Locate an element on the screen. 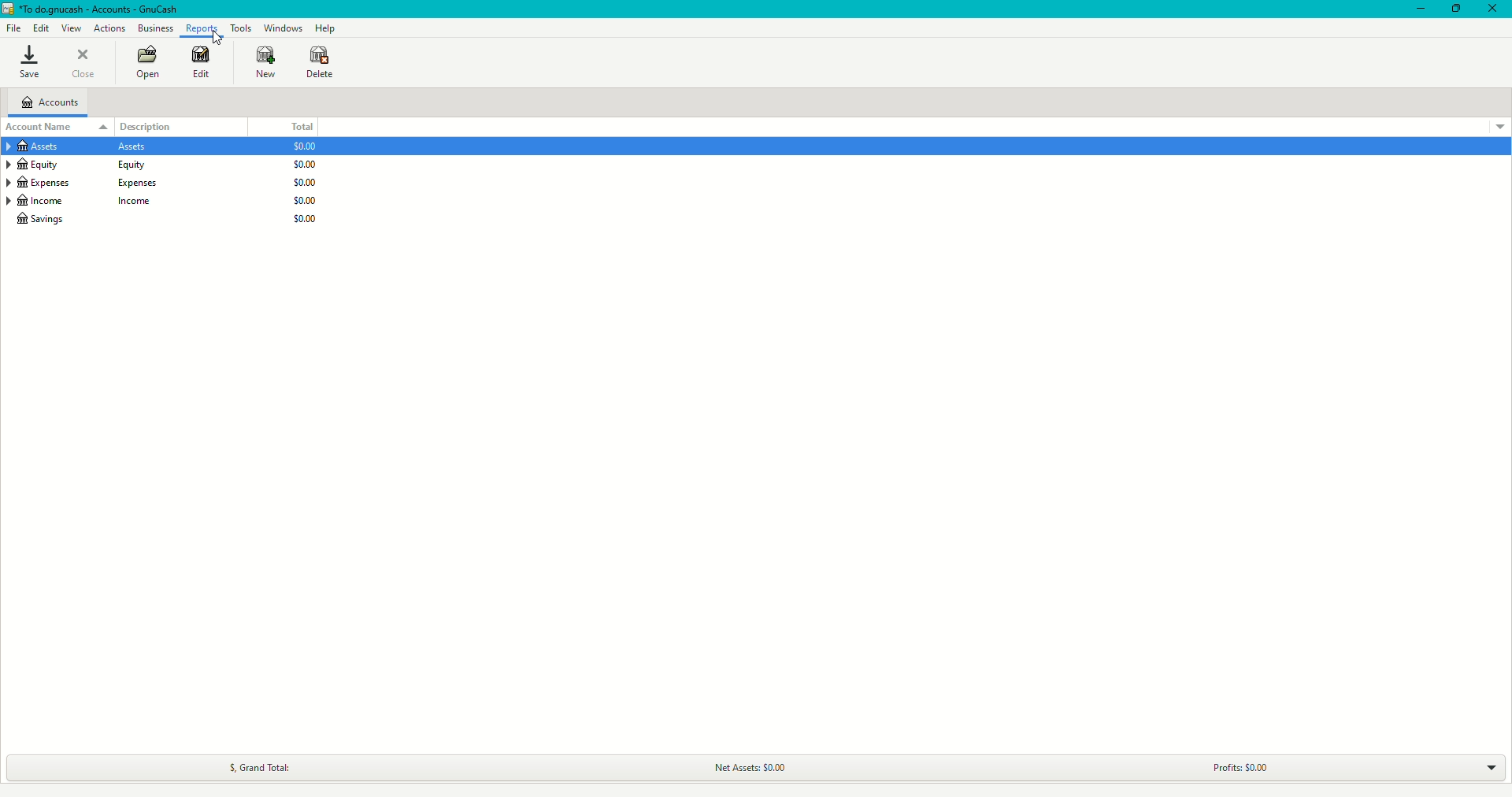 This screenshot has width=1512, height=797. $0.00 is located at coordinates (305, 146).